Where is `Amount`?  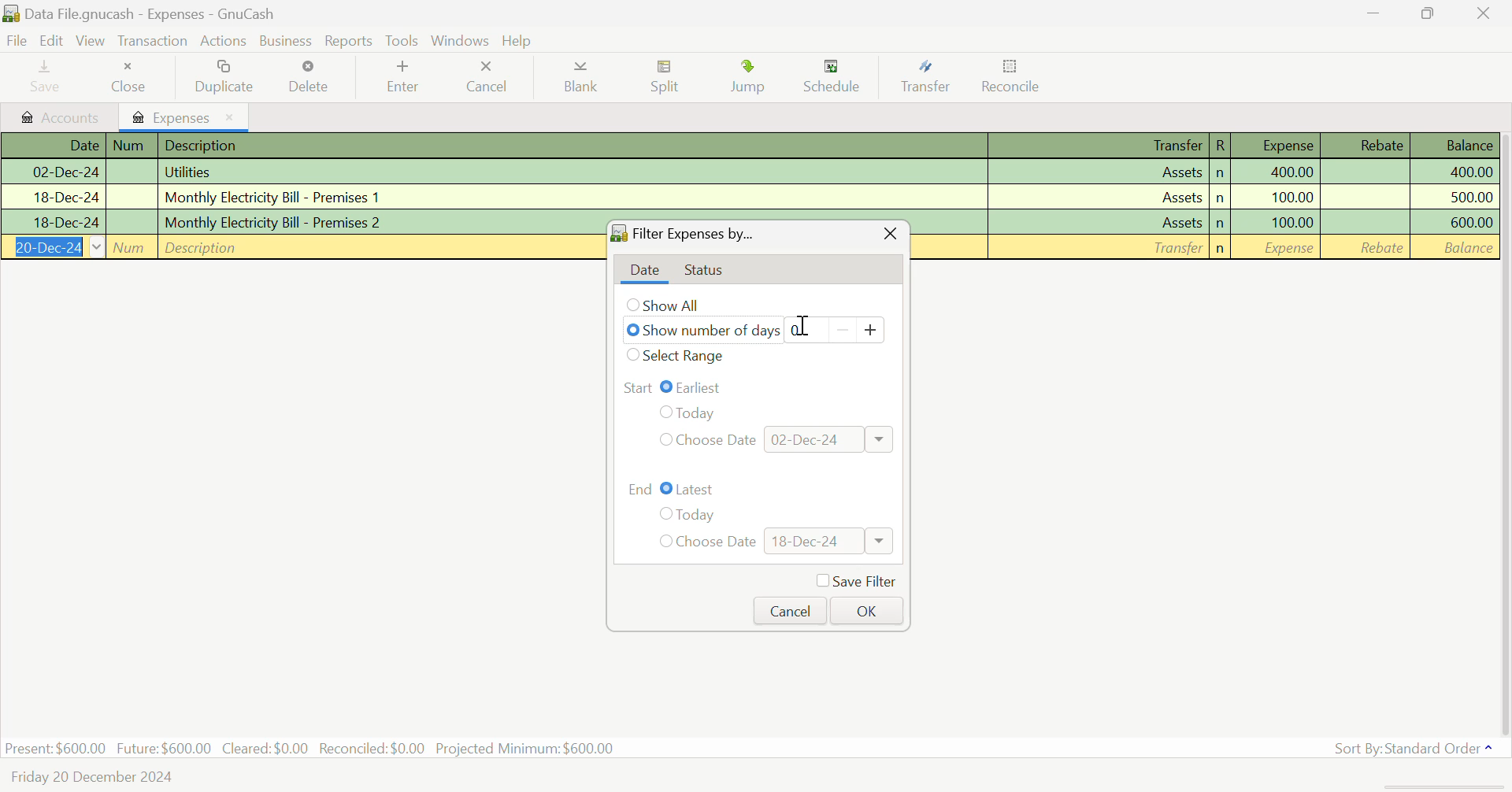 Amount is located at coordinates (1454, 198).